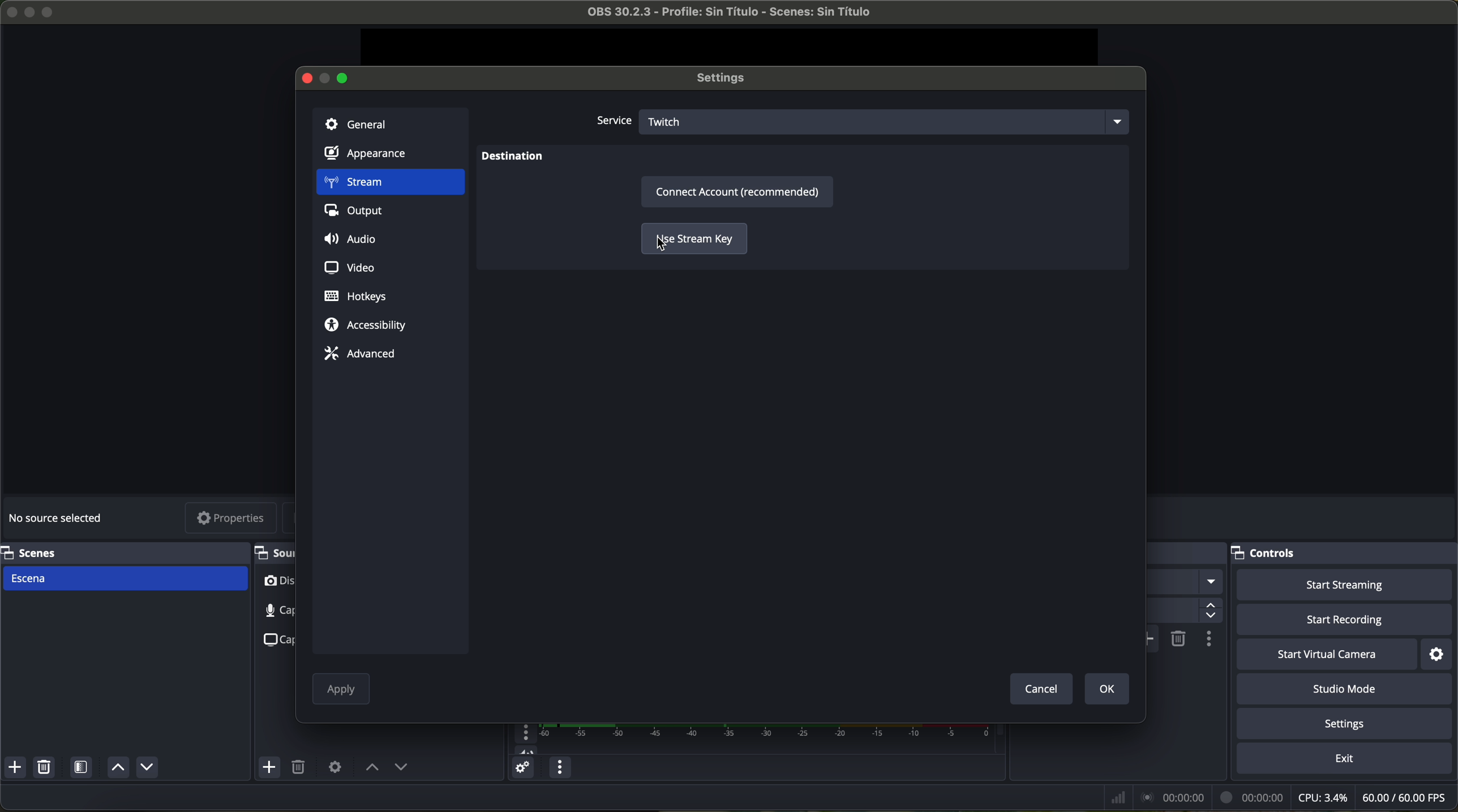  What do you see at coordinates (1346, 761) in the screenshot?
I see `exit` at bounding box center [1346, 761].